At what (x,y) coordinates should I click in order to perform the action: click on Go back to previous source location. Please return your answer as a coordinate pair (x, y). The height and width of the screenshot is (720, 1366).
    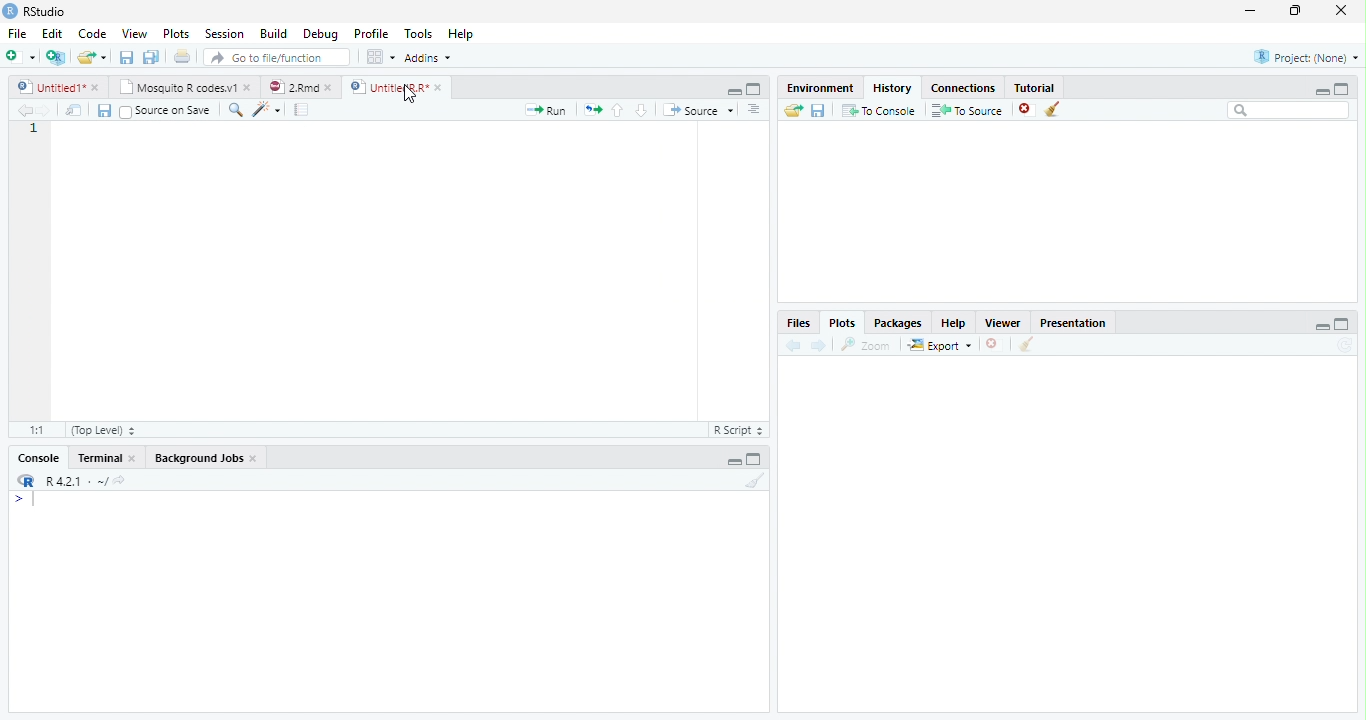
    Looking at the image, I should click on (24, 110).